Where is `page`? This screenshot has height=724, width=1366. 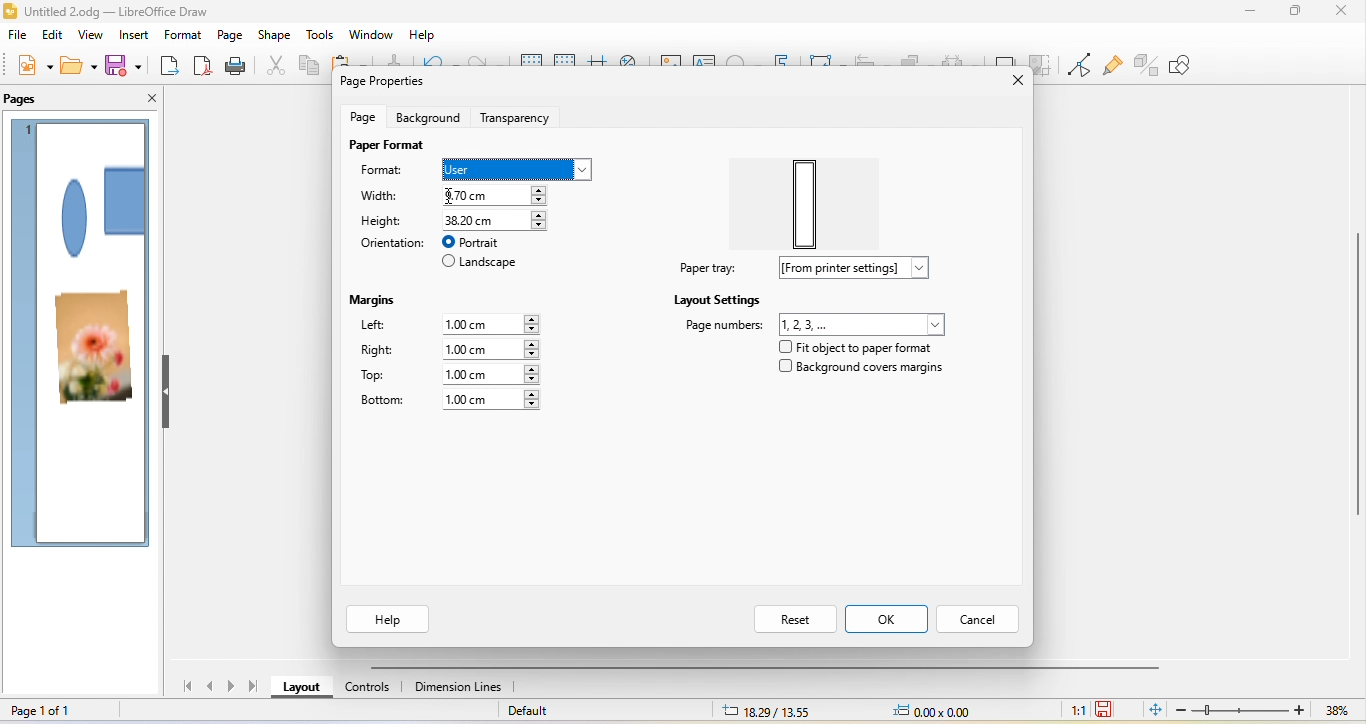
page is located at coordinates (366, 117).